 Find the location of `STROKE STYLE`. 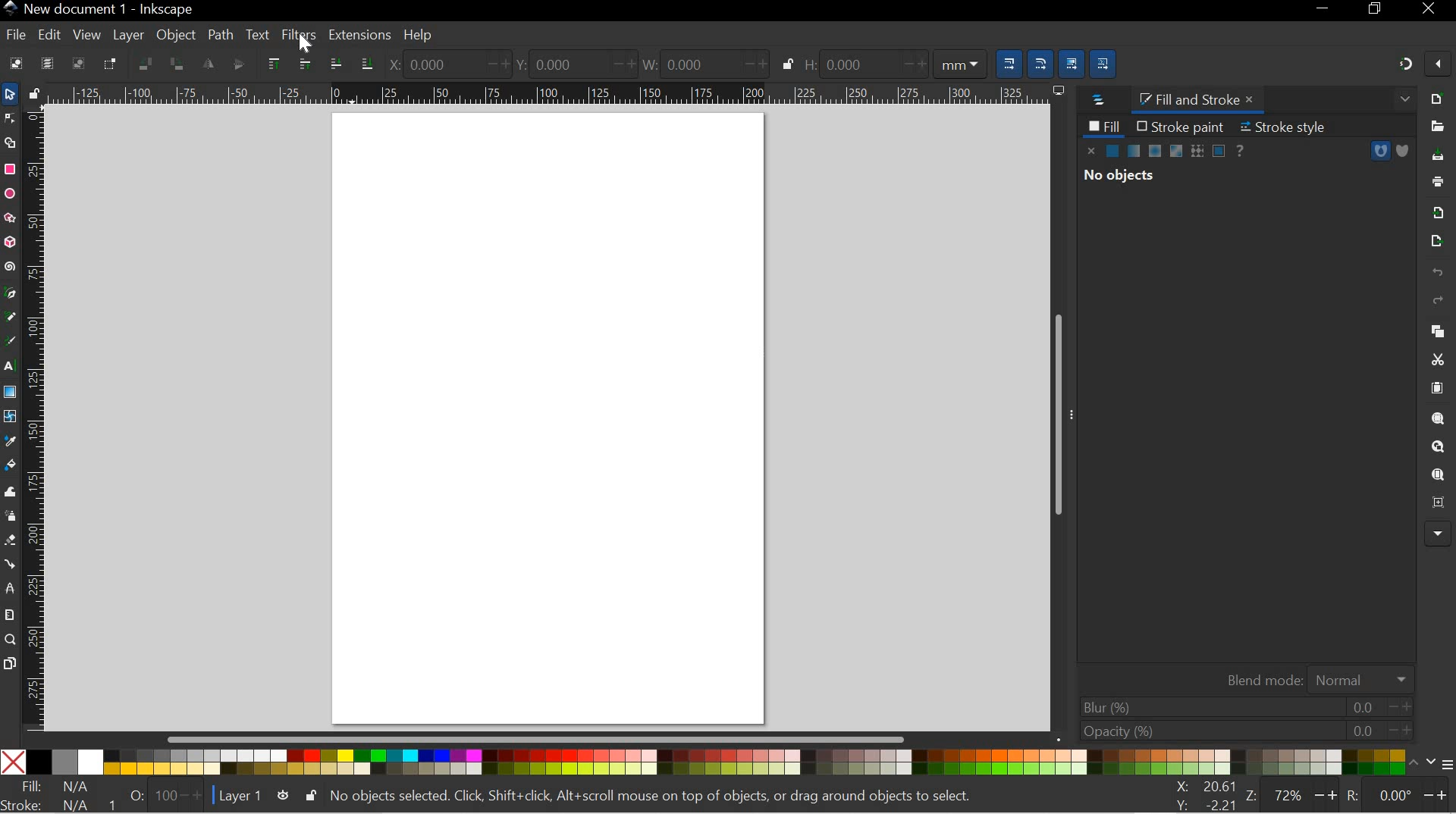

STROKE STYLE is located at coordinates (1289, 127).